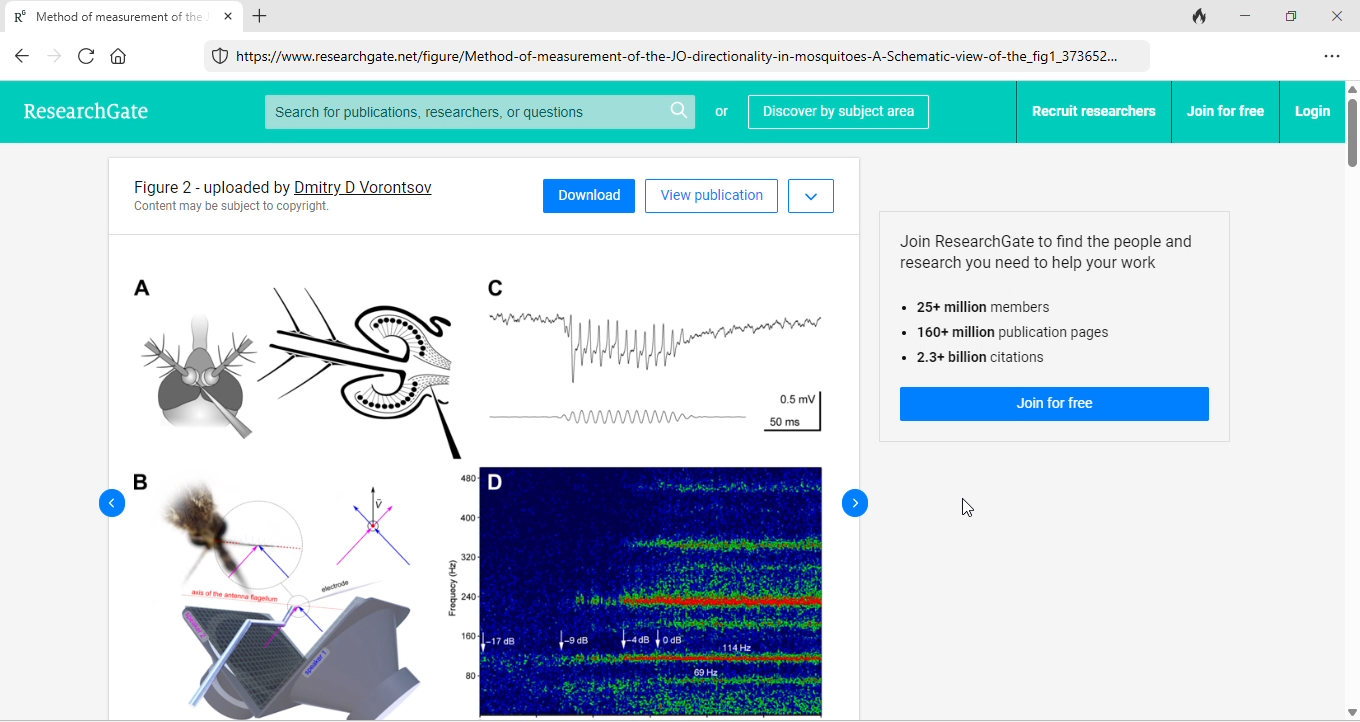  I want to click on recruit researchers, so click(1094, 110).